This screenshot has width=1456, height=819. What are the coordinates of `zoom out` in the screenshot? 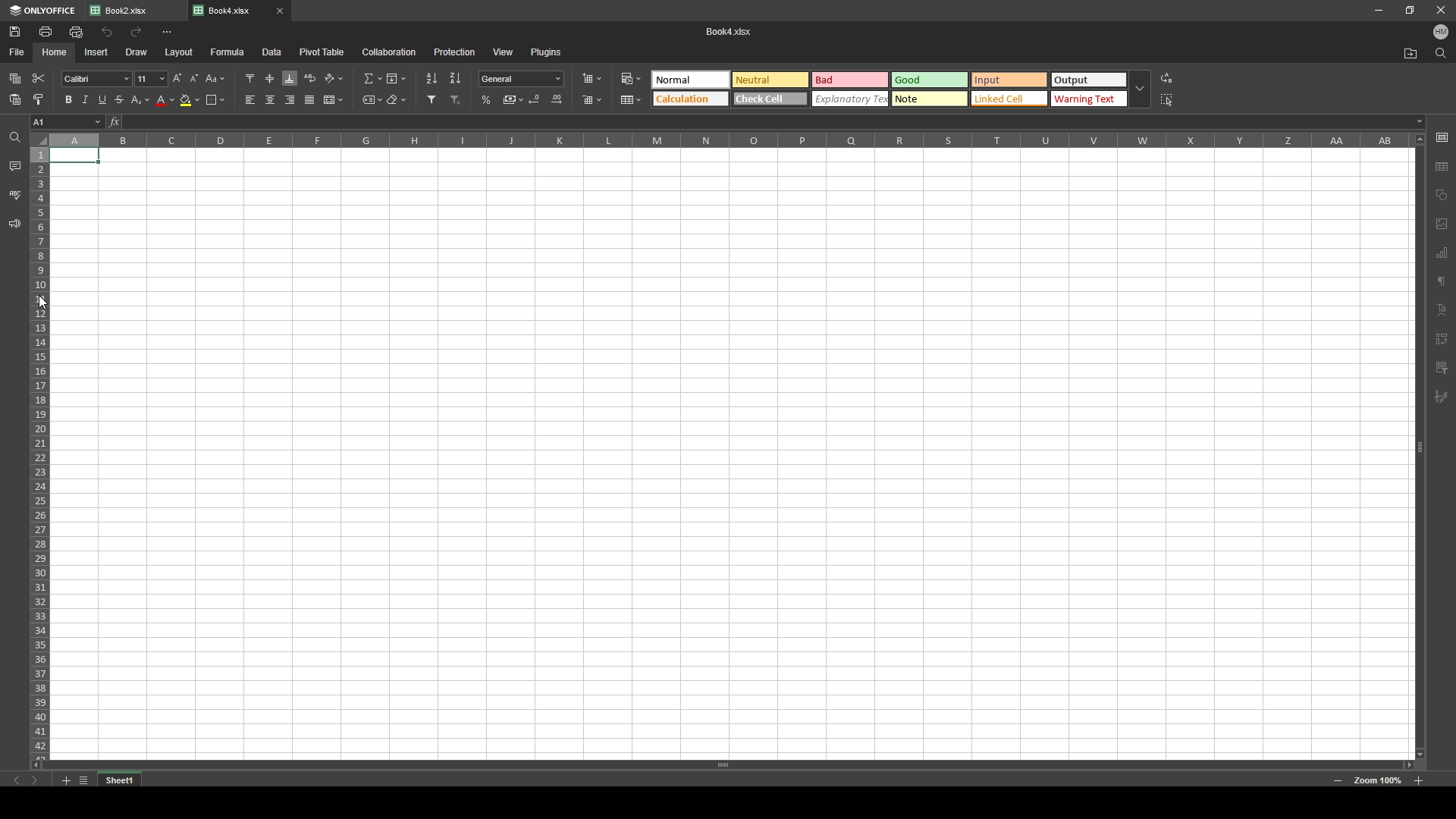 It's located at (1338, 780).